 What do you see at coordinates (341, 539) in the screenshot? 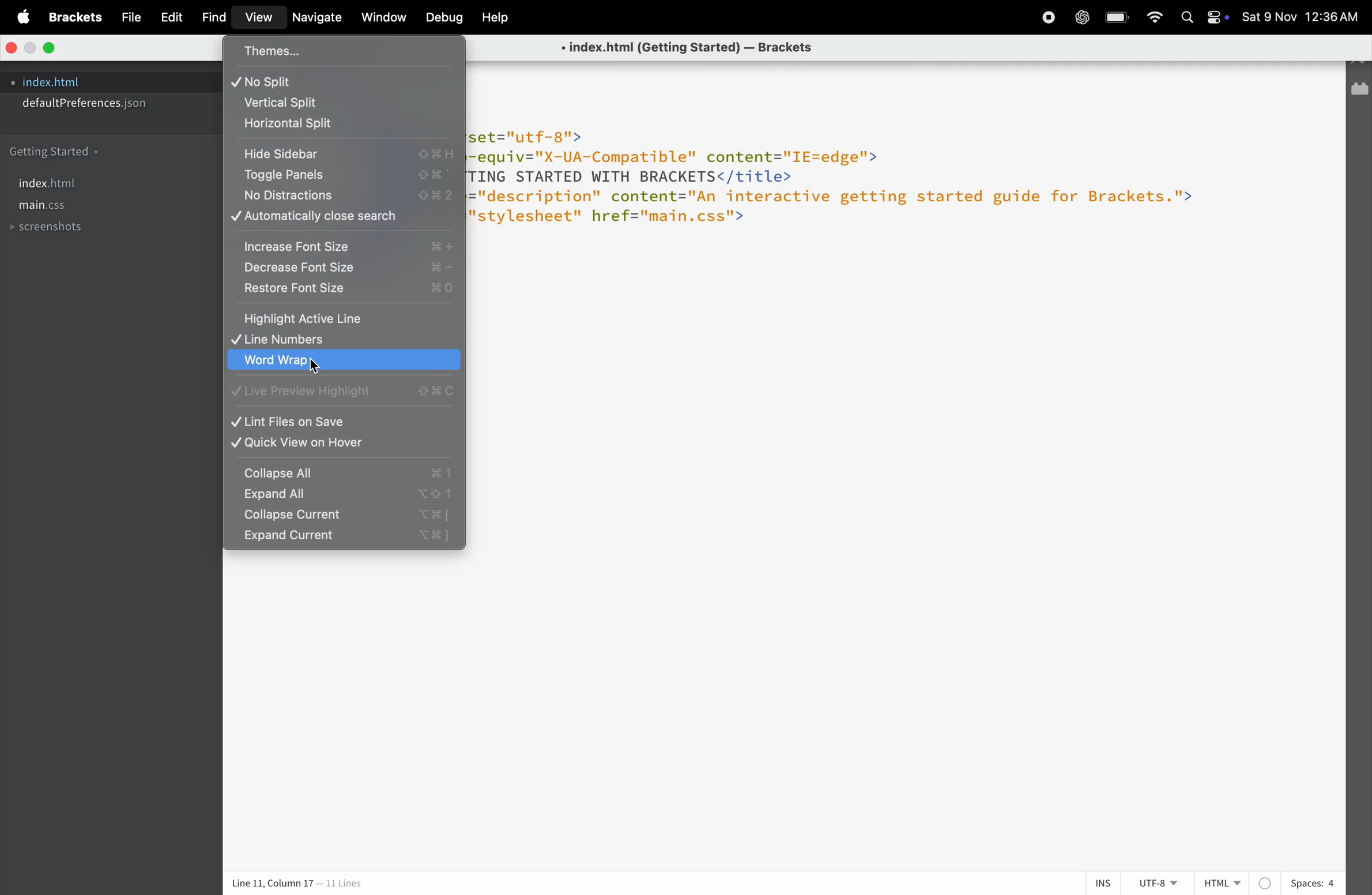
I see `expand current` at bounding box center [341, 539].